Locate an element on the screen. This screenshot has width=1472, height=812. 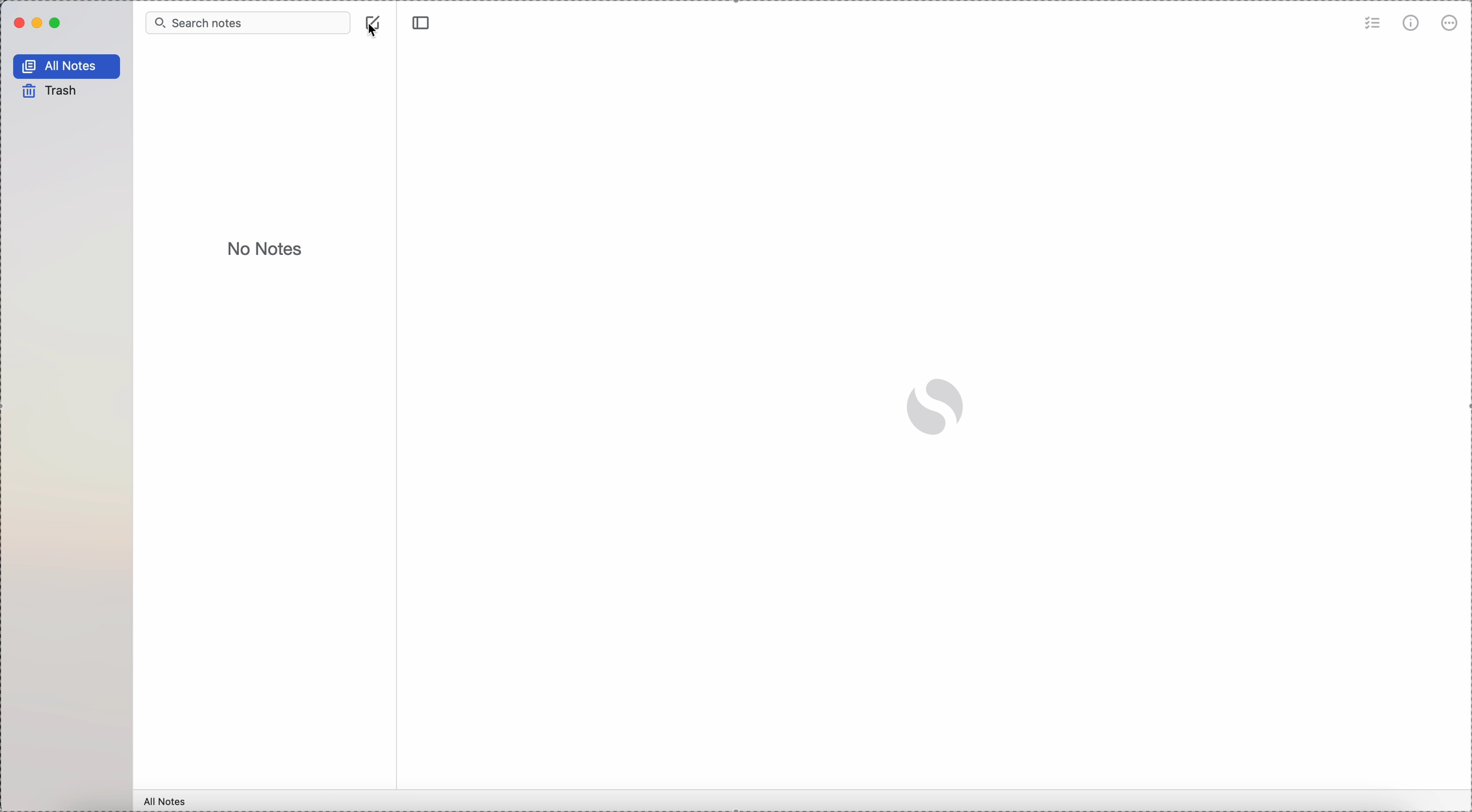
all notes is located at coordinates (66, 66).